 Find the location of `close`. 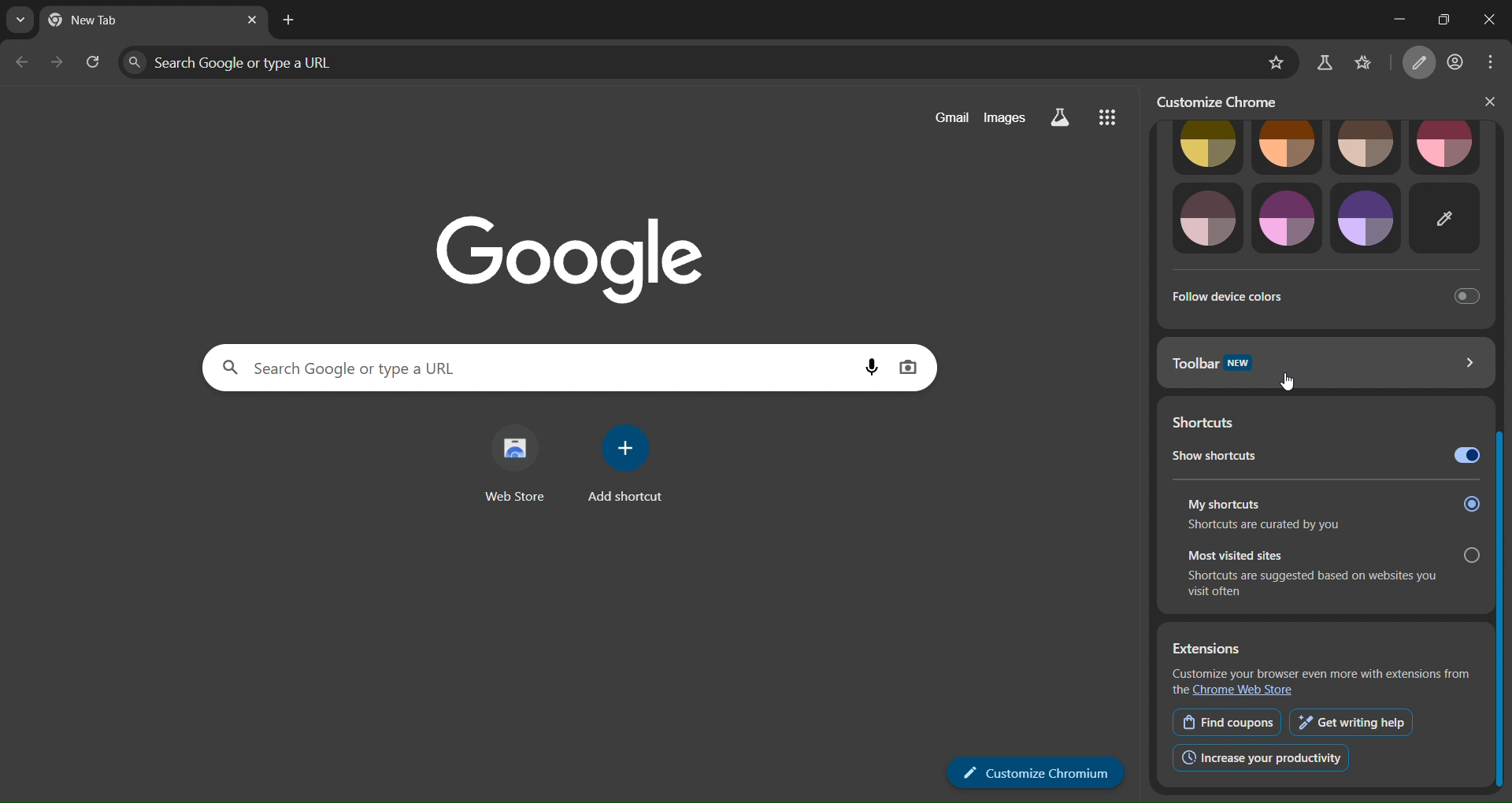

close is located at coordinates (1490, 102).